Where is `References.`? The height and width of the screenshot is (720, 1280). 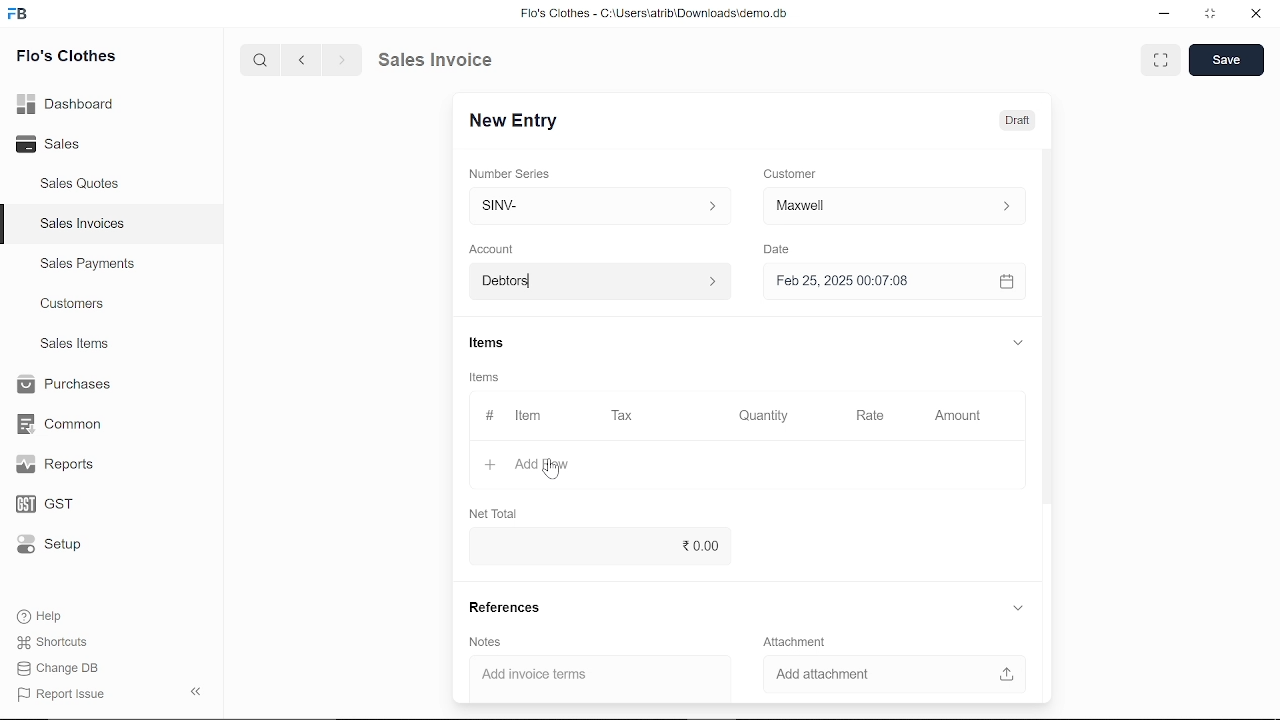 References. is located at coordinates (506, 610).